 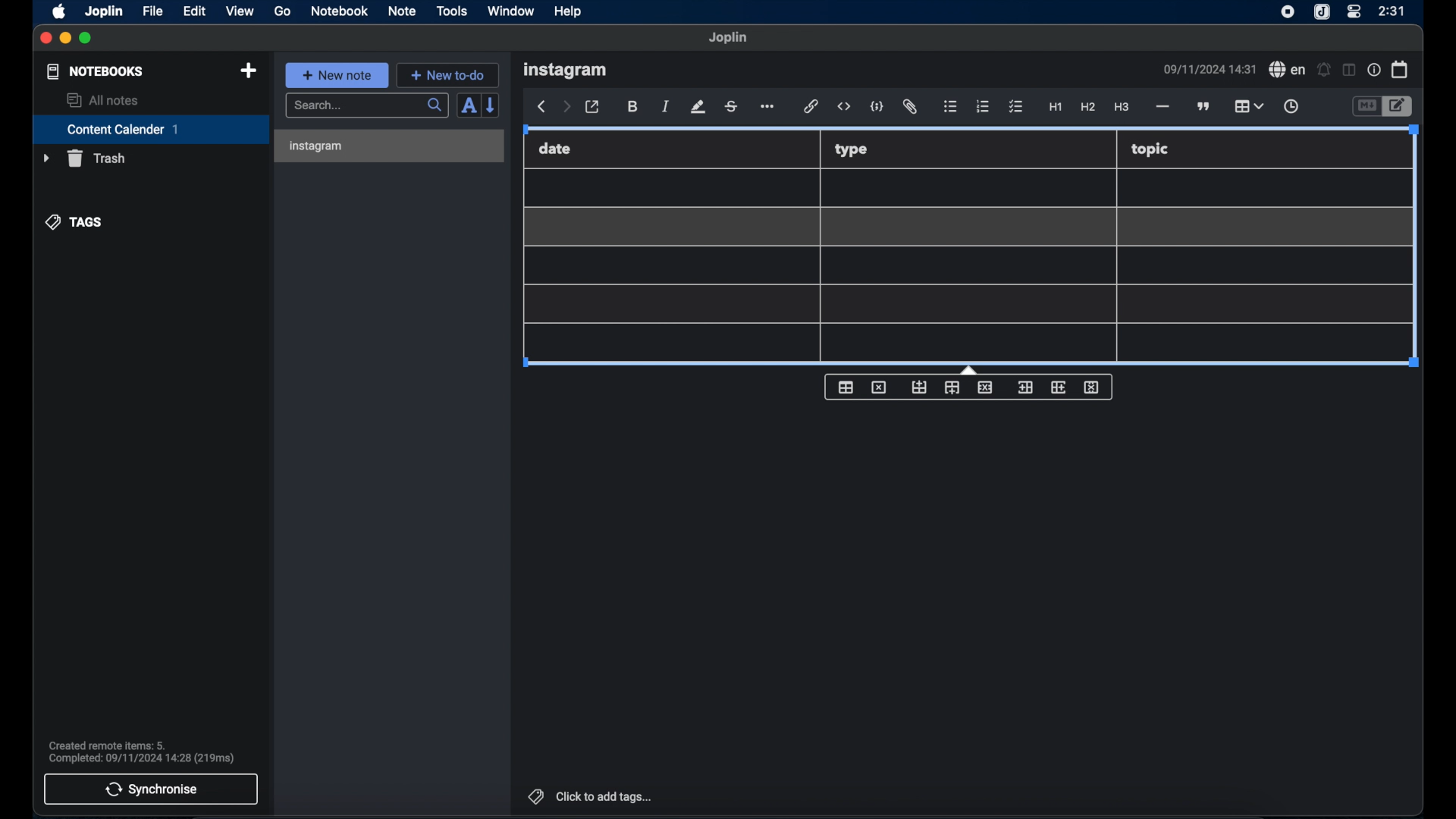 I want to click on italic, so click(x=665, y=107).